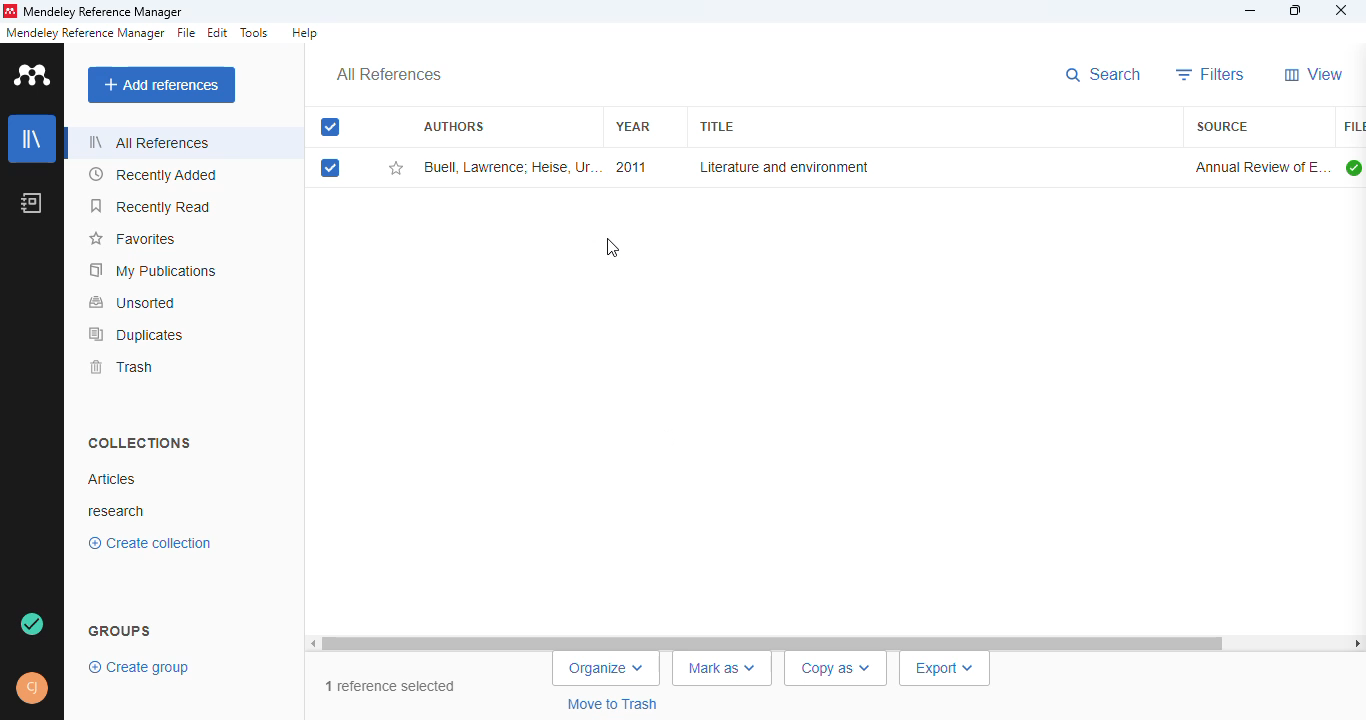 The width and height of the screenshot is (1366, 720). What do you see at coordinates (396, 168) in the screenshot?
I see `add this reference to favorites` at bounding box center [396, 168].